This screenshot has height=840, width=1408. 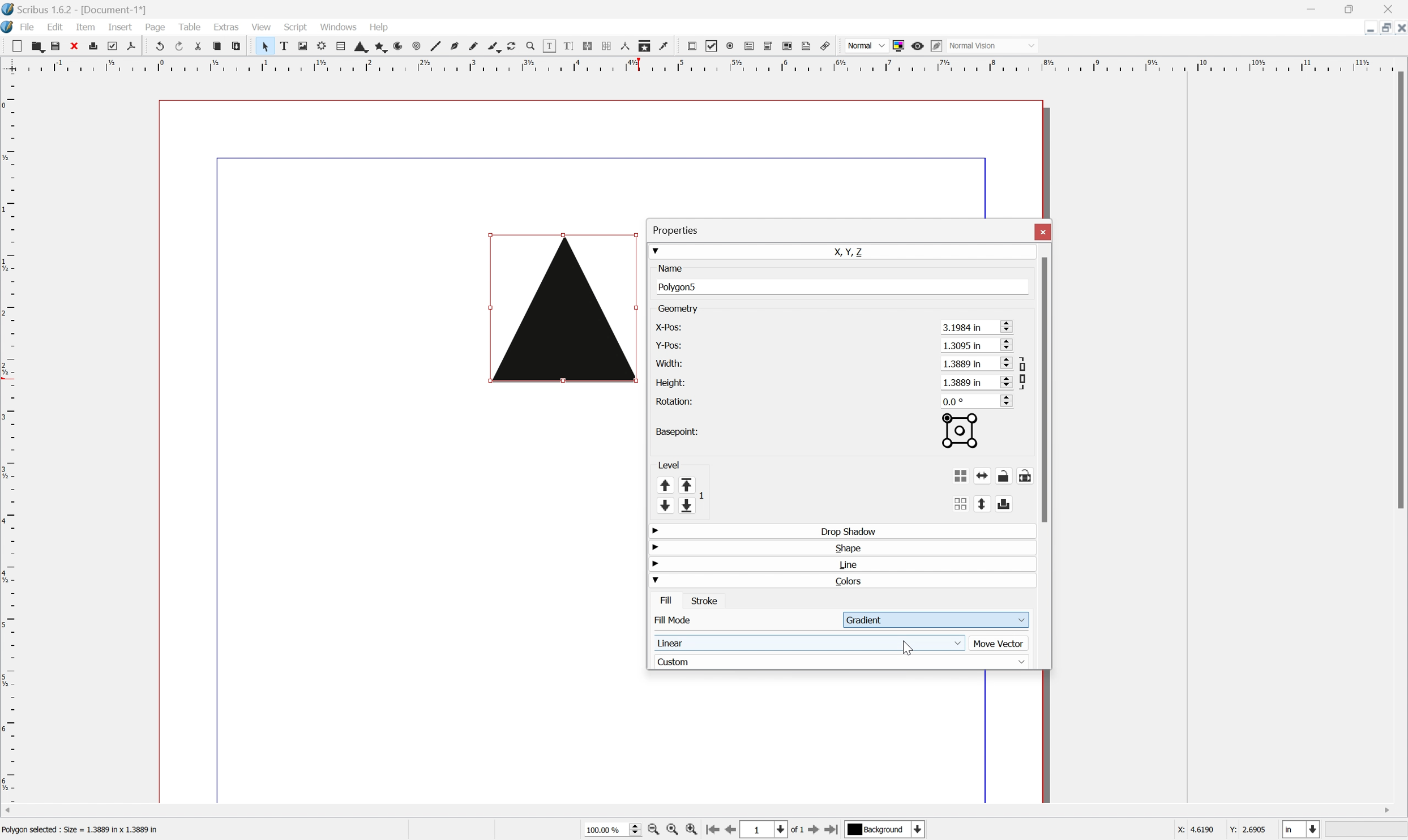 I want to click on Copy, so click(x=216, y=46).